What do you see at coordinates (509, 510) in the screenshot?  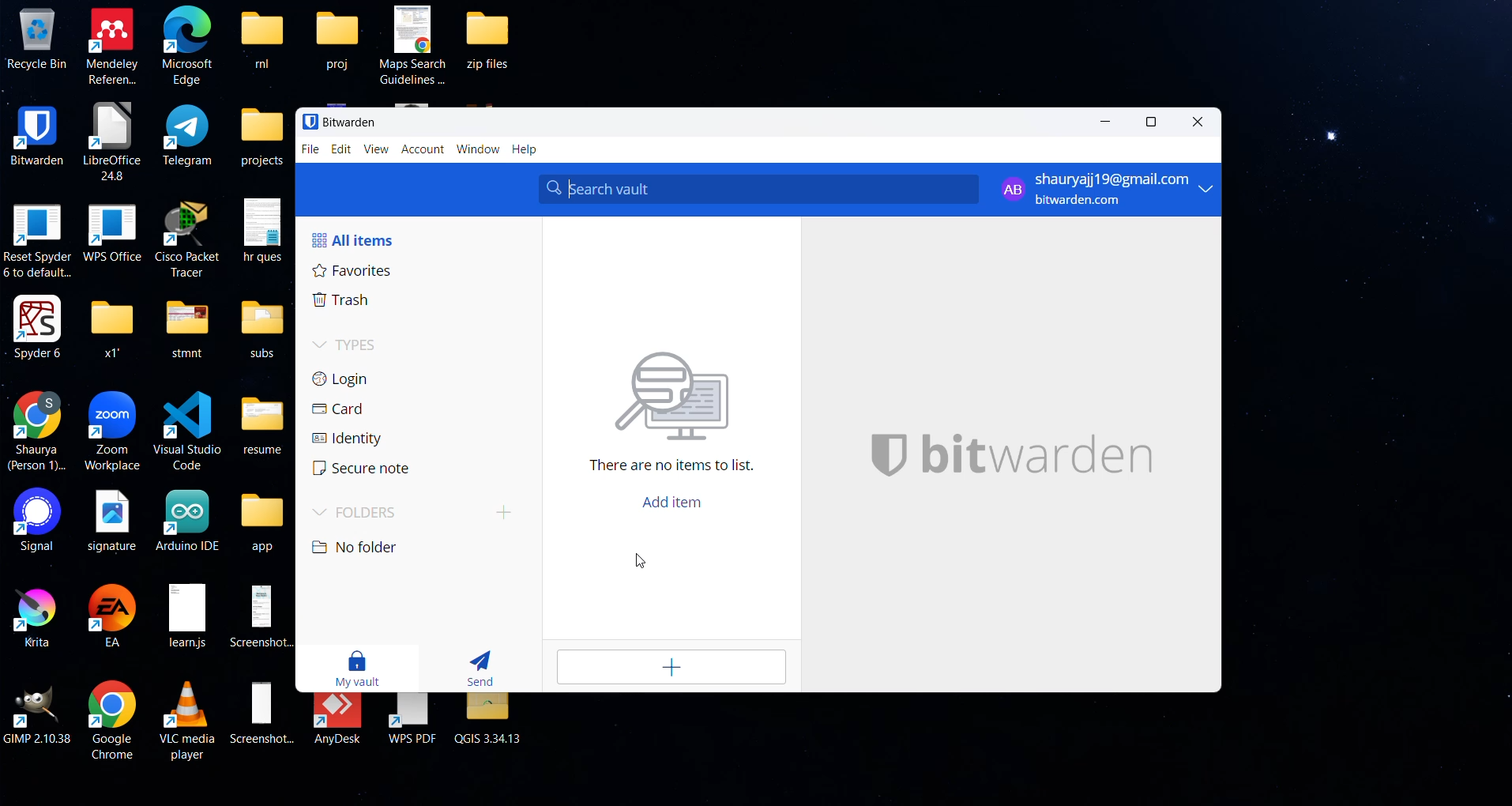 I see `add` at bounding box center [509, 510].